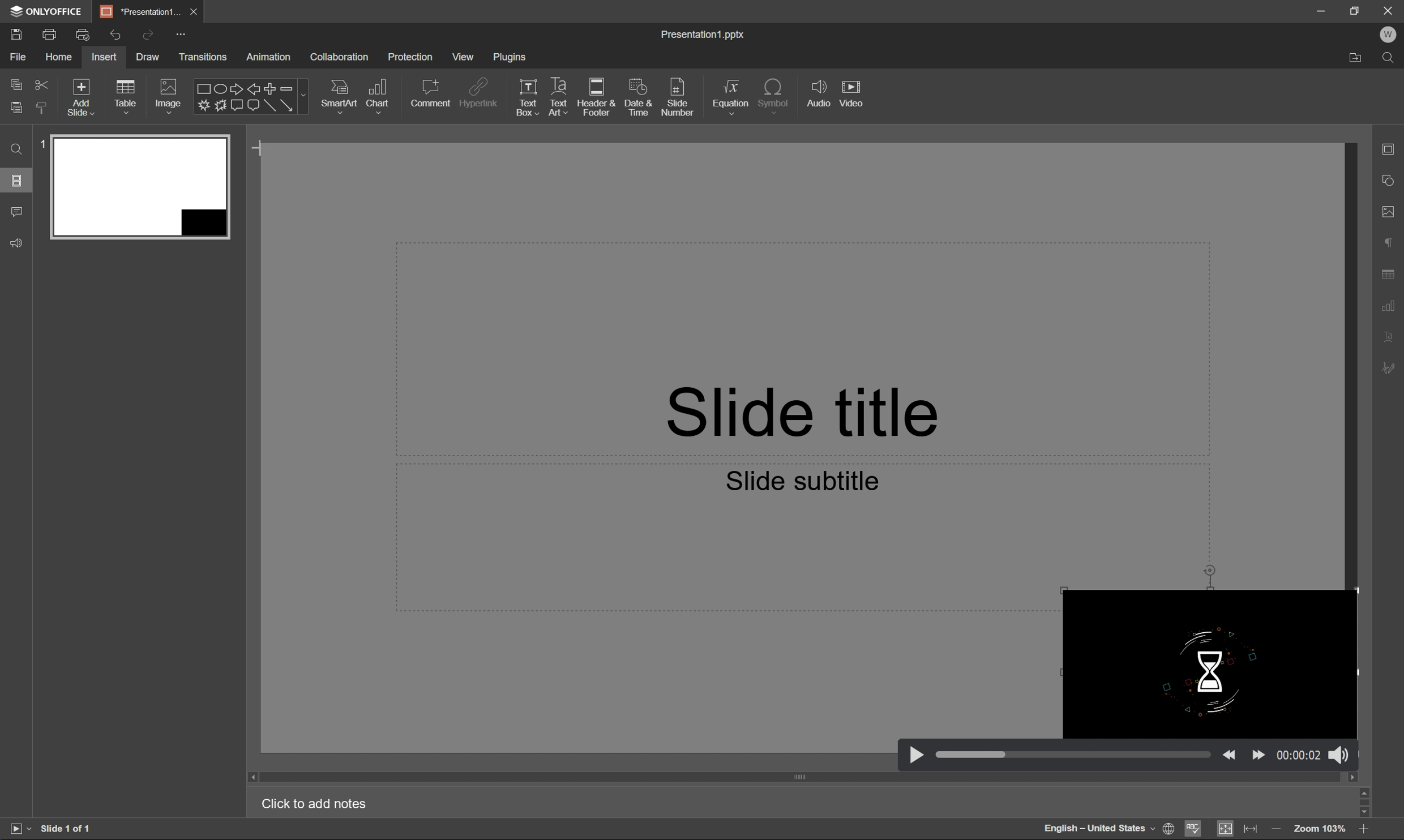 The image size is (1404, 840). I want to click on customize quick access toolbar, so click(183, 35).